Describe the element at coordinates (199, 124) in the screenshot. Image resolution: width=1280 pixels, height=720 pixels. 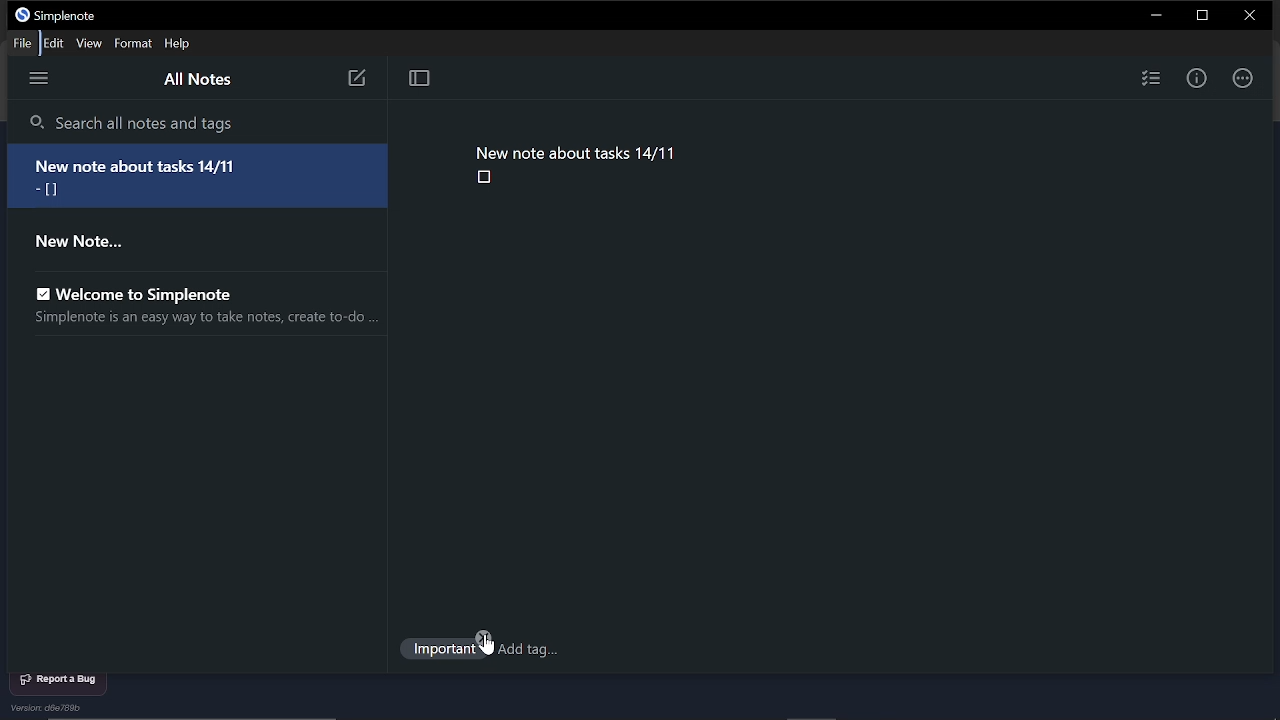
I see `Search all notes and tags` at that location.